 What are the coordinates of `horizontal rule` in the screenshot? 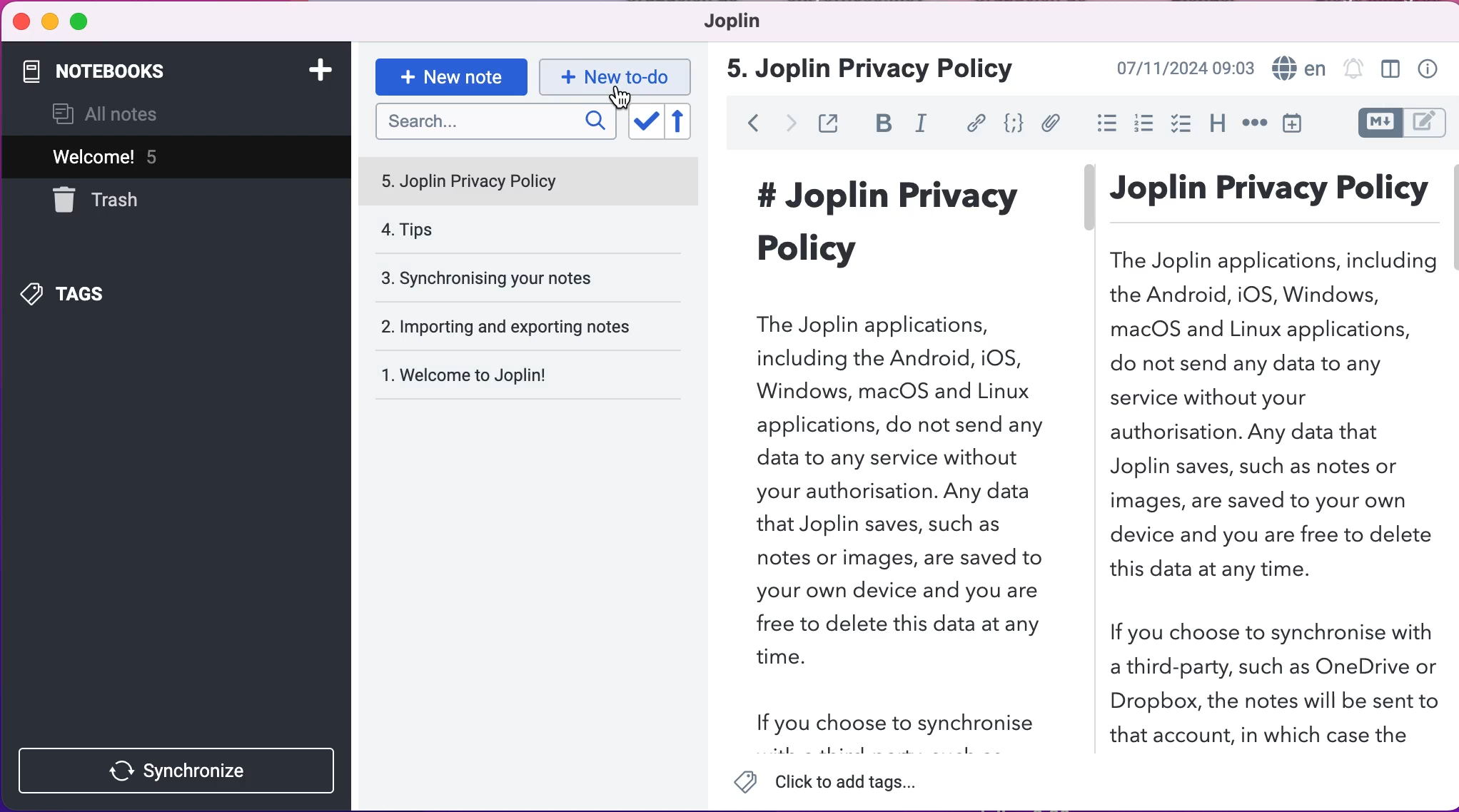 It's located at (1252, 128).